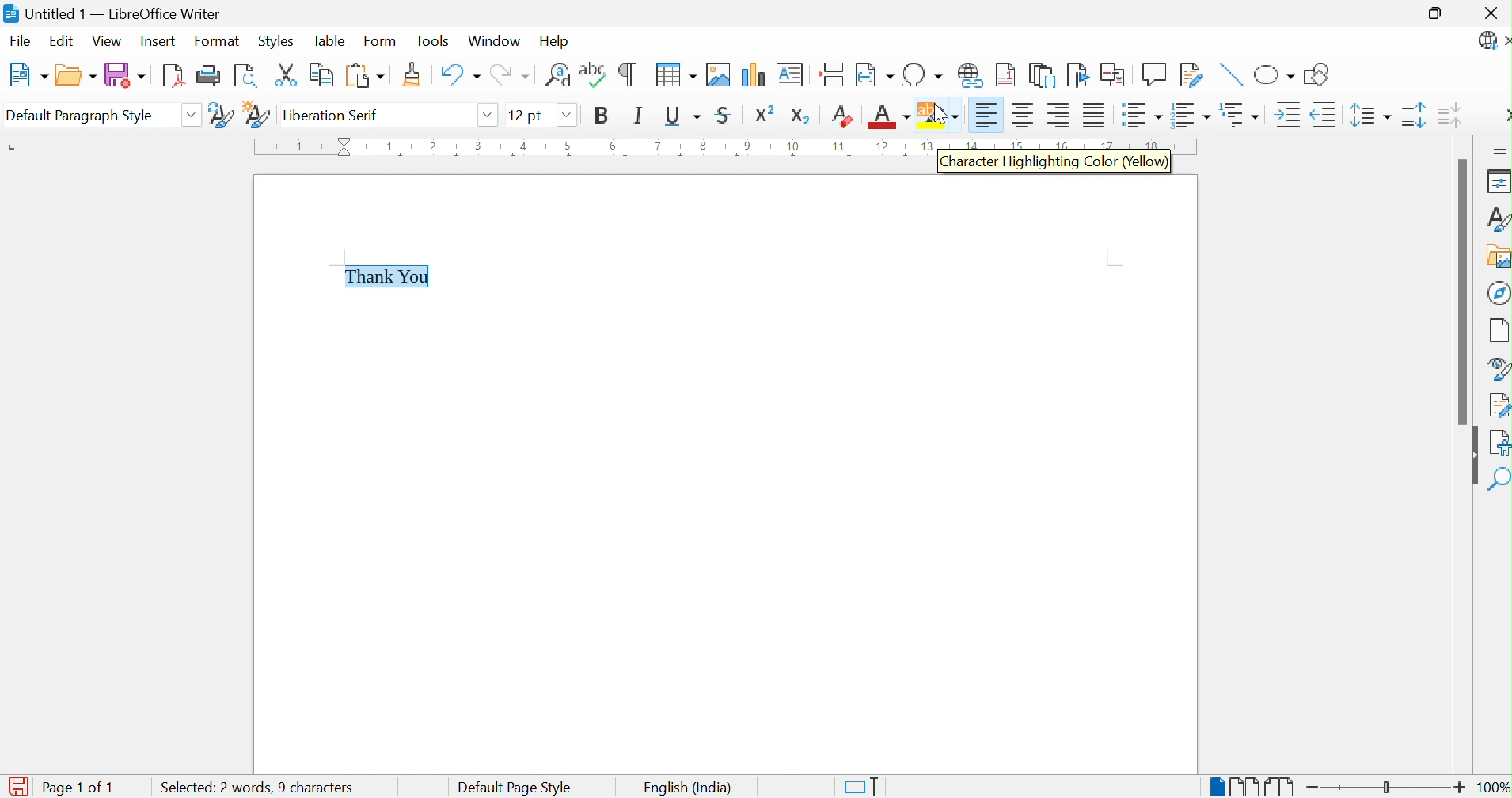 This screenshot has height=798, width=1512. Describe the element at coordinates (1437, 13) in the screenshot. I see `Restore Down` at that location.